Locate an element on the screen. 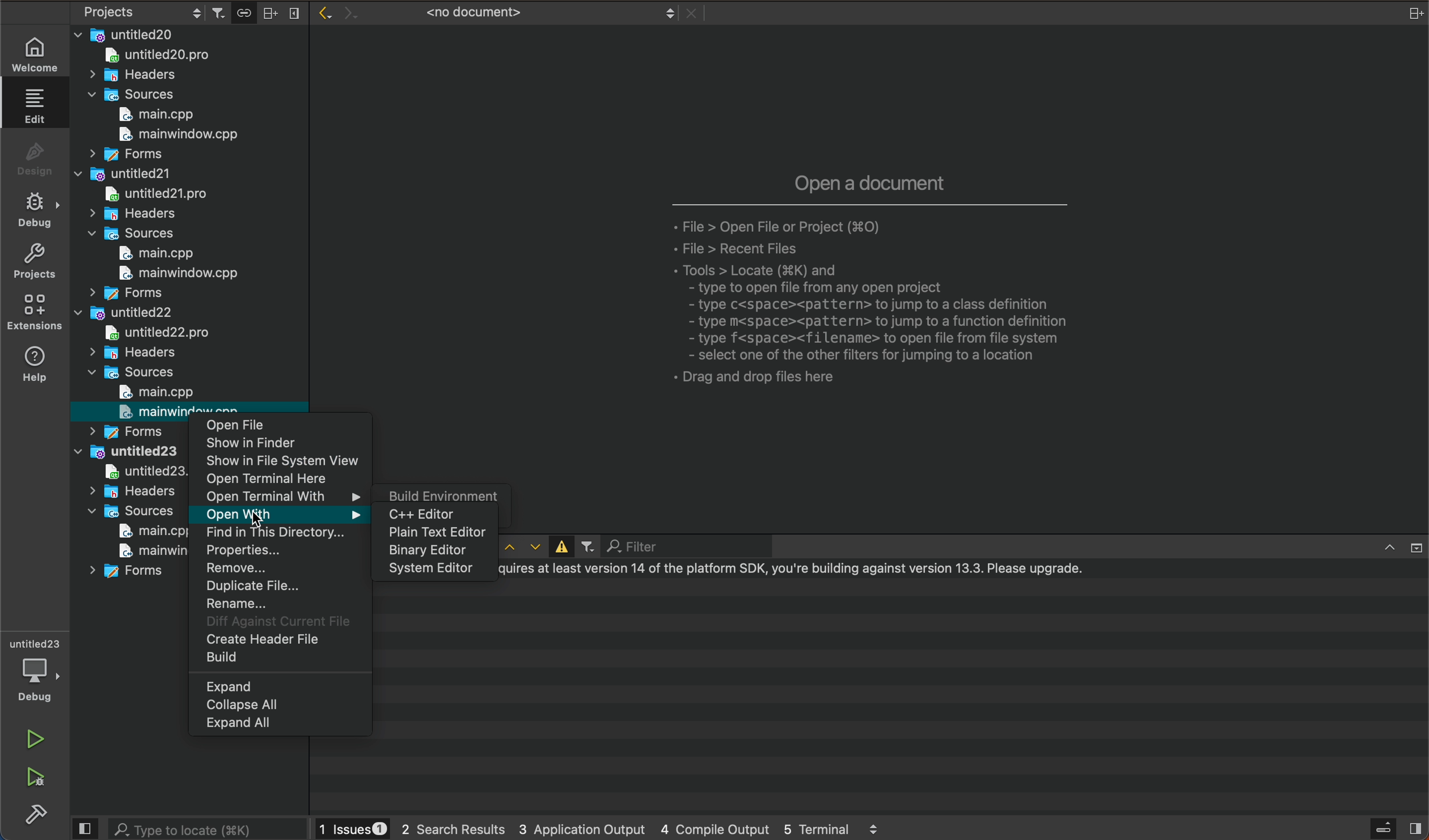 The width and height of the screenshot is (1429, 840). expand all is located at coordinates (280, 726).